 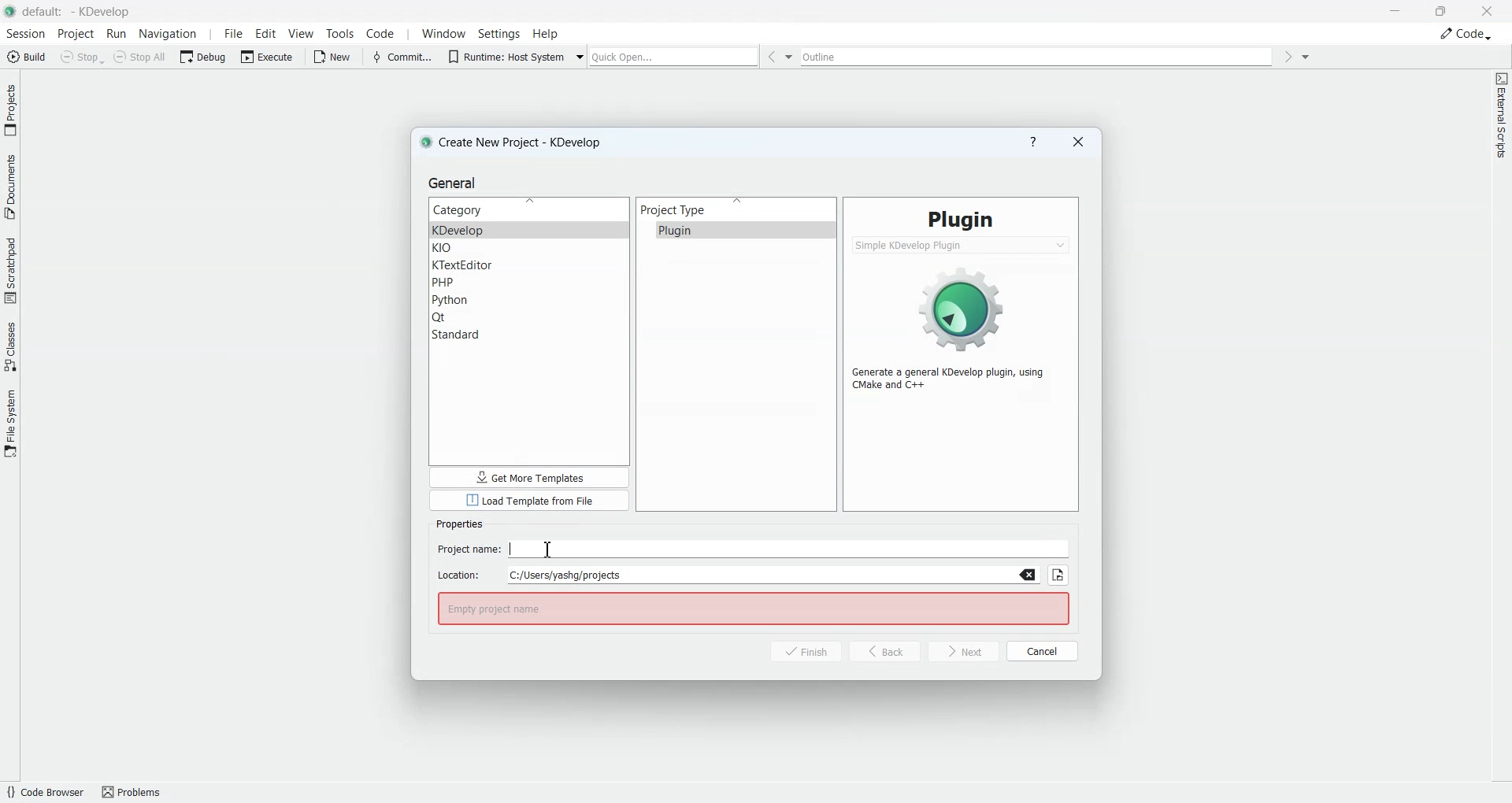 I want to click on Load Template From File, so click(x=529, y=501).